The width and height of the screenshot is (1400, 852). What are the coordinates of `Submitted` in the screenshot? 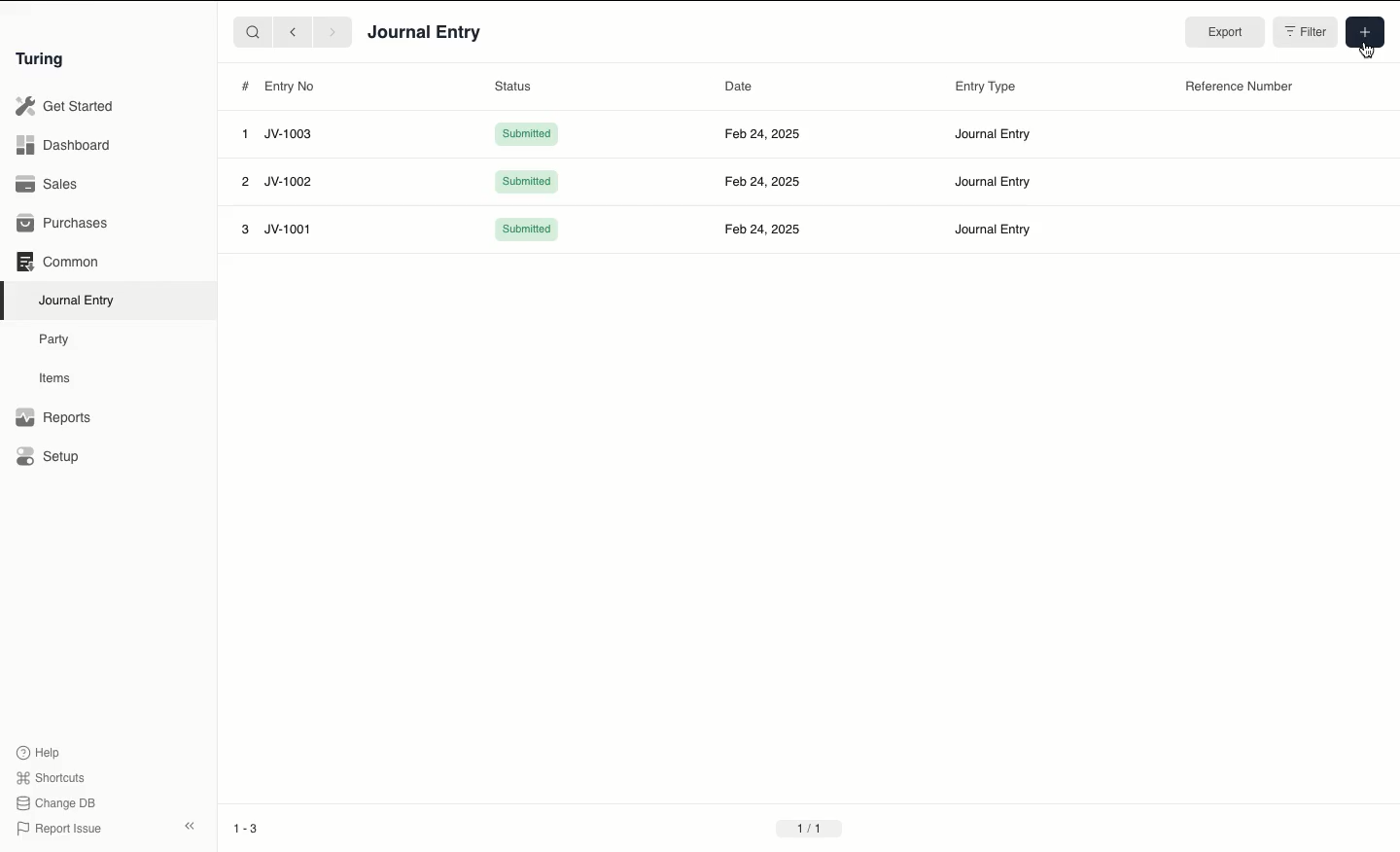 It's located at (527, 182).